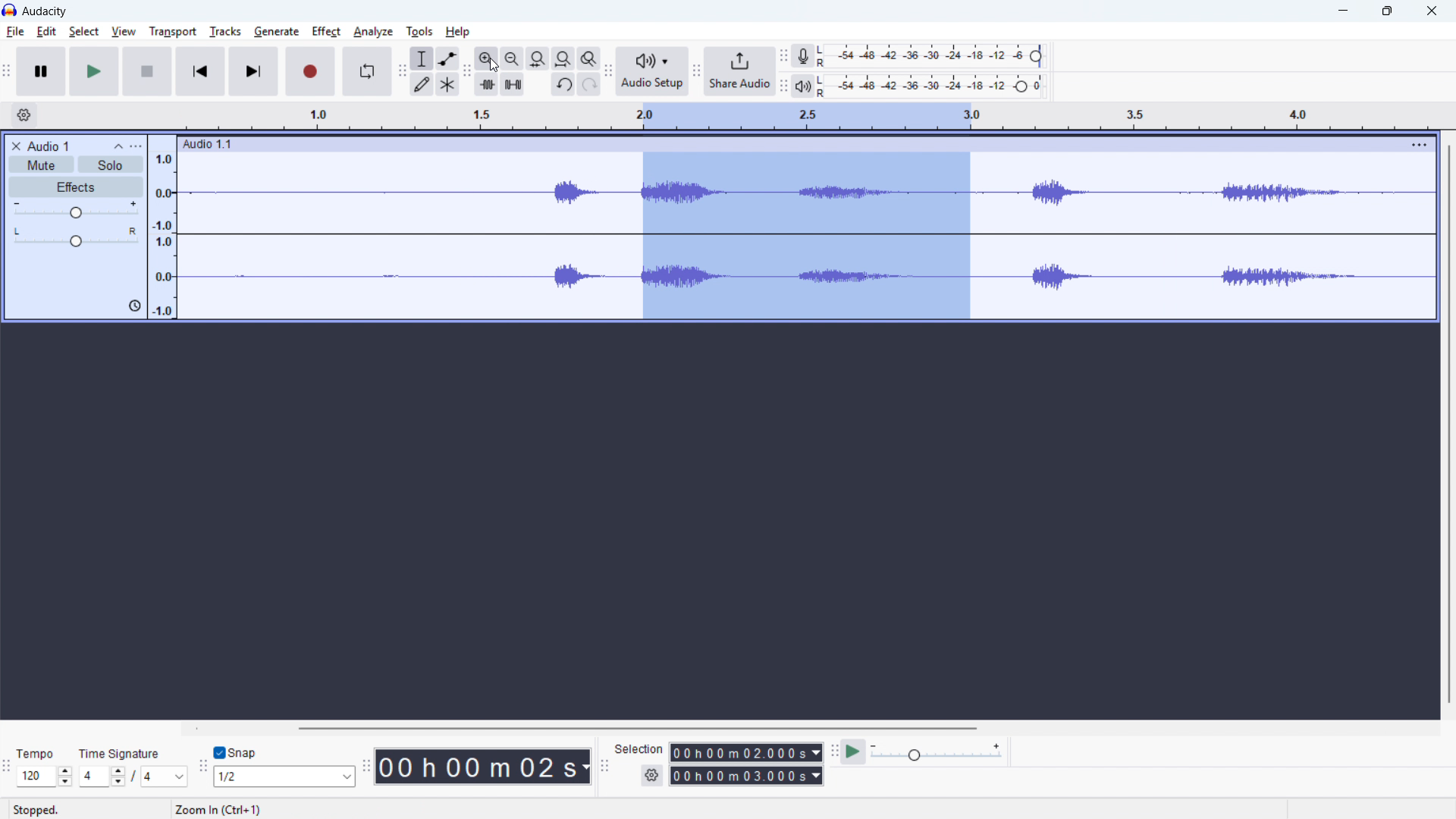 The image size is (1456, 819). What do you see at coordinates (783, 86) in the screenshot?
I see `Playback metre toolbar` at bounding box center [783, 86].